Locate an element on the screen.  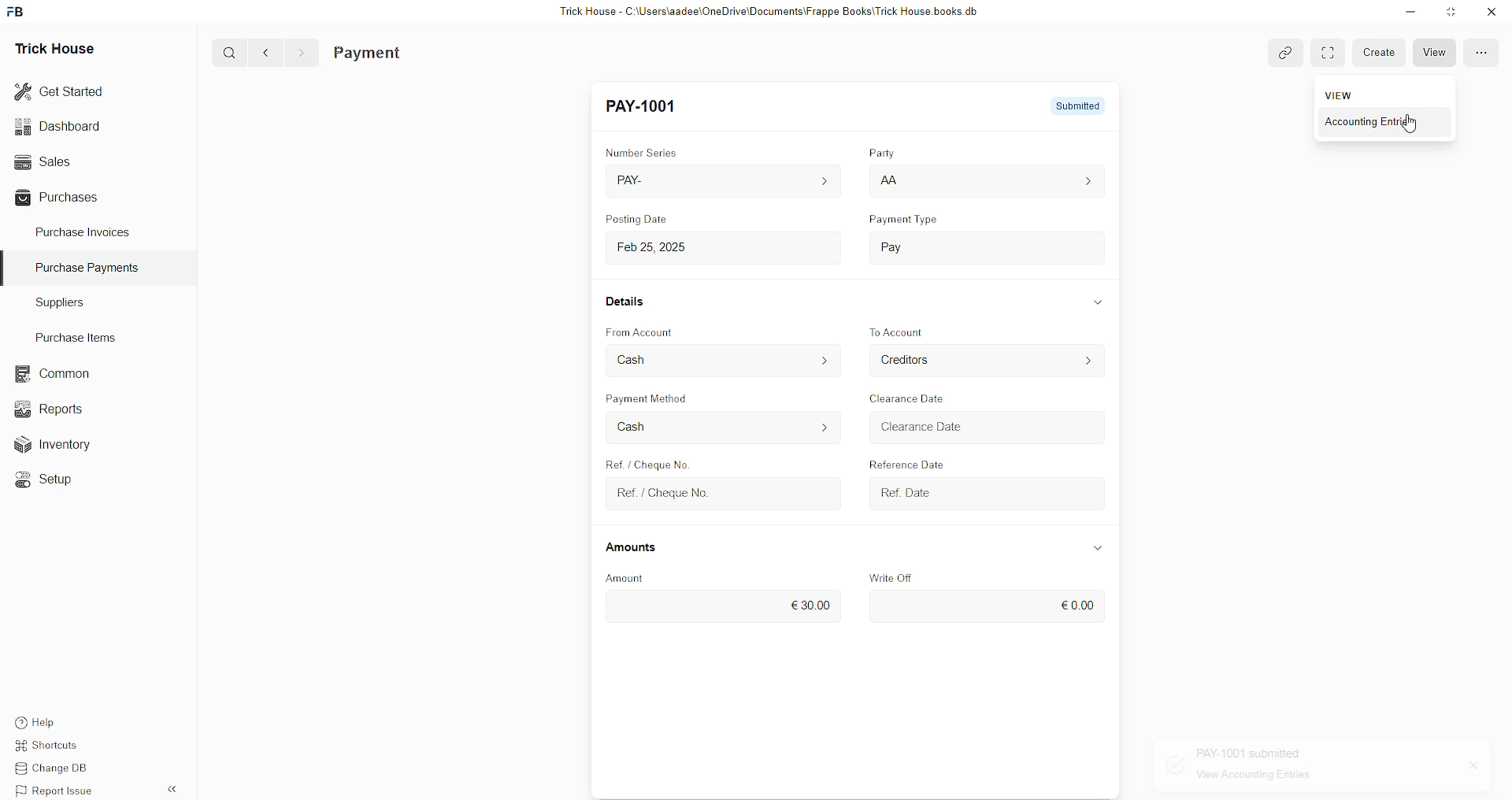
Change DB is located at coordinates (60, 769).